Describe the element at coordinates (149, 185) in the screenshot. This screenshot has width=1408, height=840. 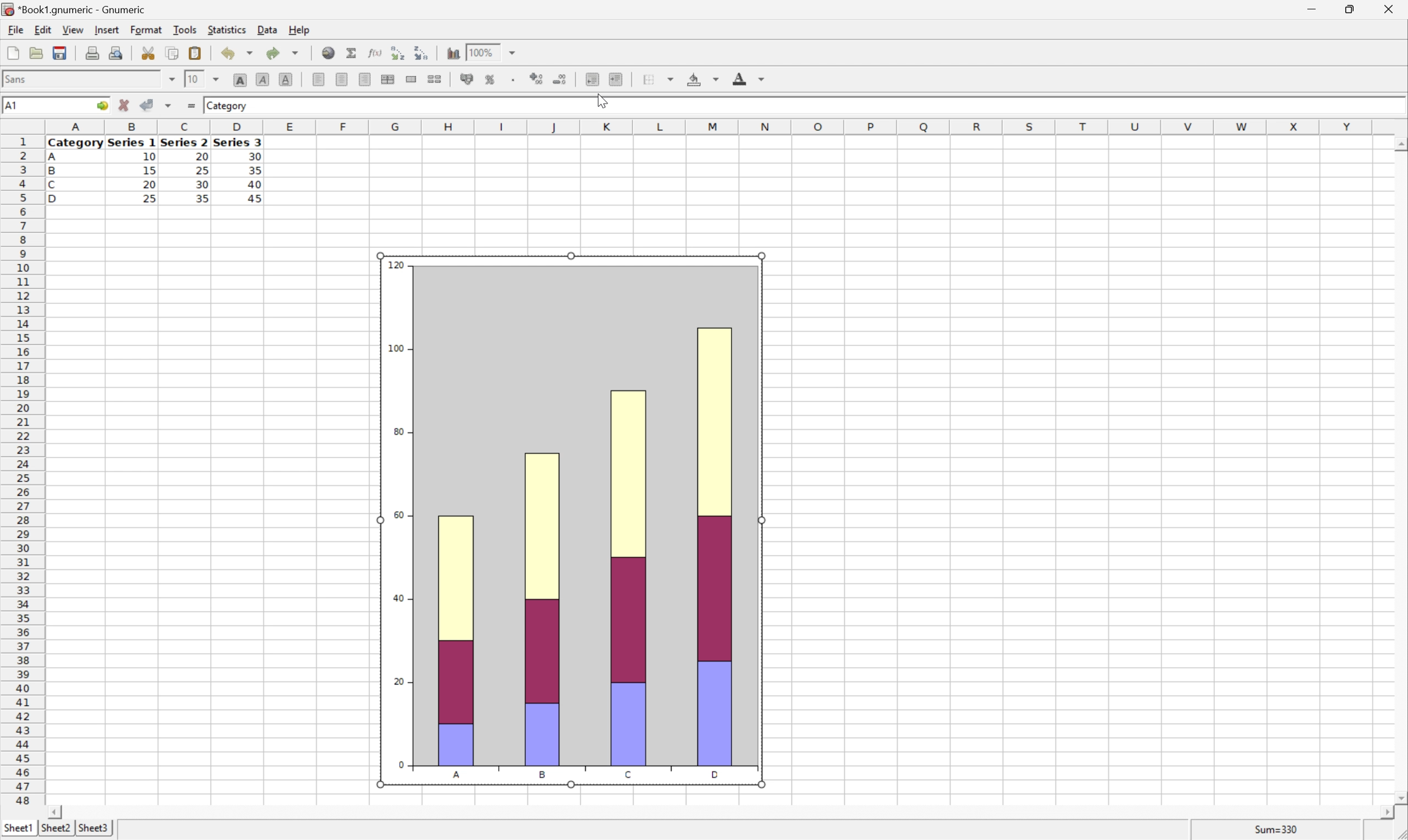
I see `20` at that location.